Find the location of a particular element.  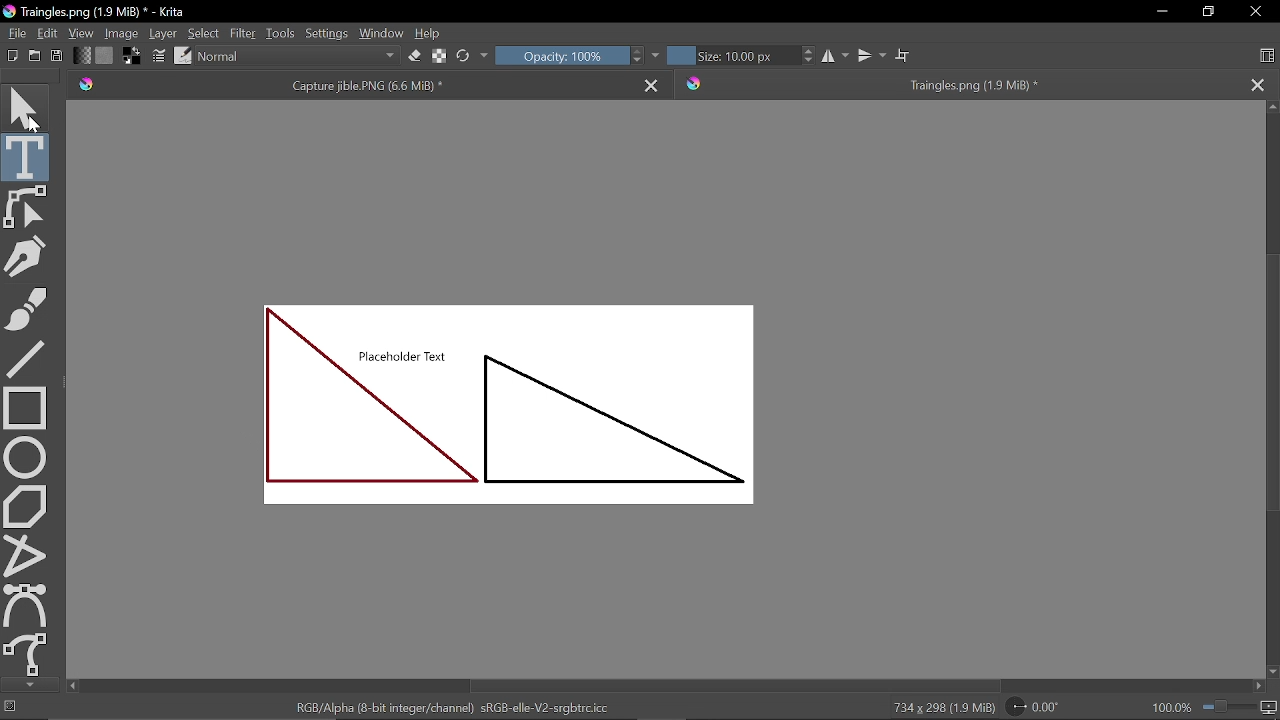

Traingles.png (1.9 MiB) * is located at coordinates (956, 84).